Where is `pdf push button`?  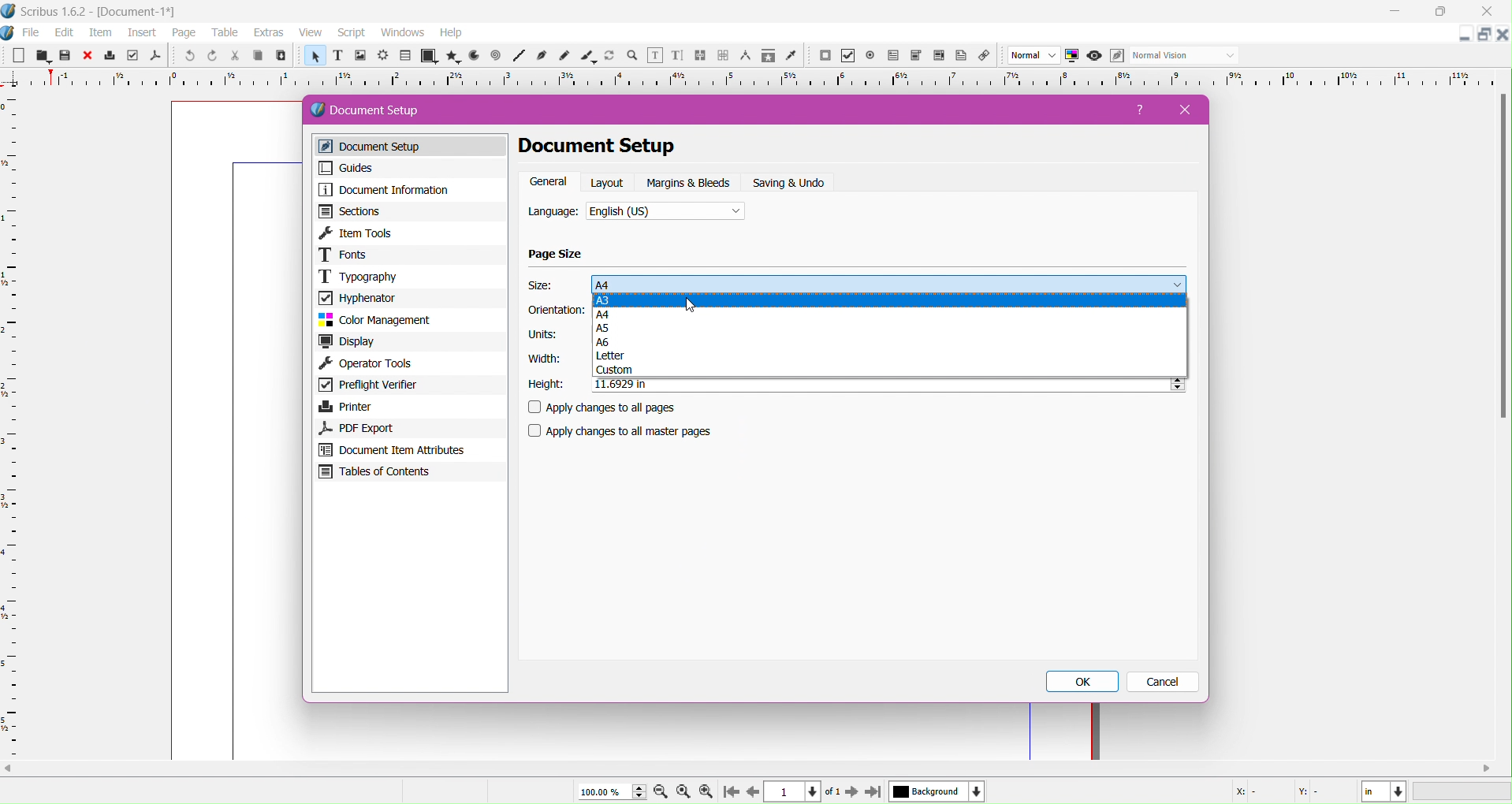 pdf push button is located at coordinates (825, 56).